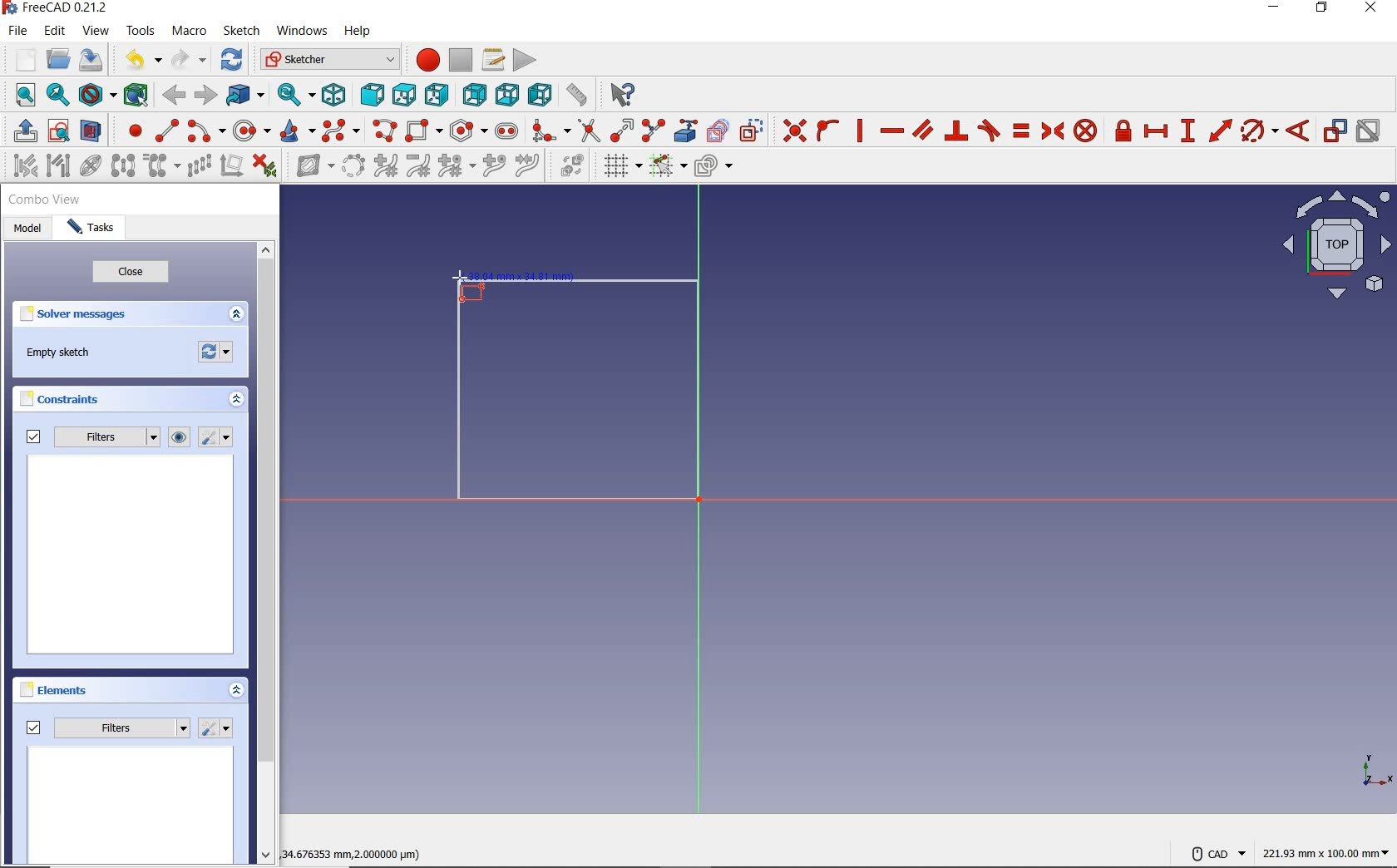 The height and width of the screenshot is (868, 1397). What do you see at coordinates (491, 167) in the screenshot?
I see `increase B-Spline degree` at bounding box center [491, 167].